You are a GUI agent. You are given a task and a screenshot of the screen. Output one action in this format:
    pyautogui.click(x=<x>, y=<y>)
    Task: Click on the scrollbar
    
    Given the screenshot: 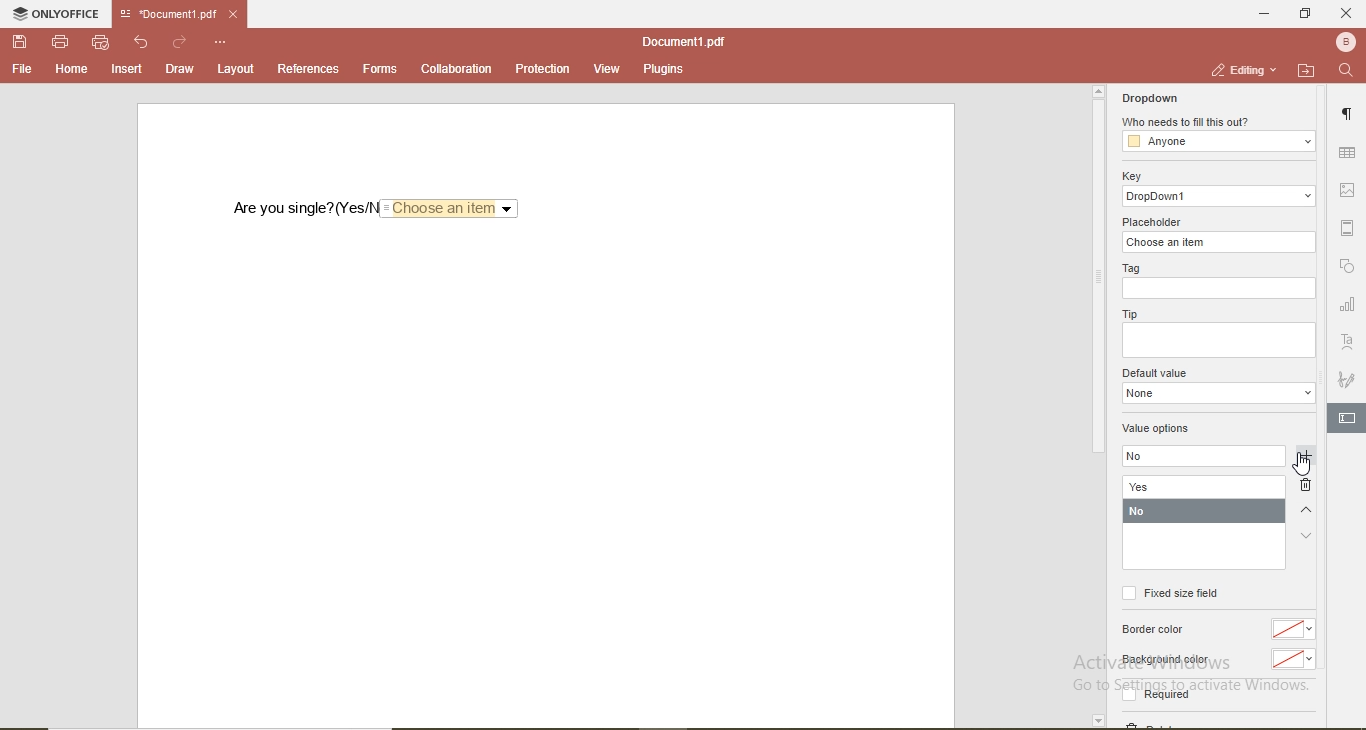 What is the action you would take?
    pyautogui.click(x=1097, y=269)
    